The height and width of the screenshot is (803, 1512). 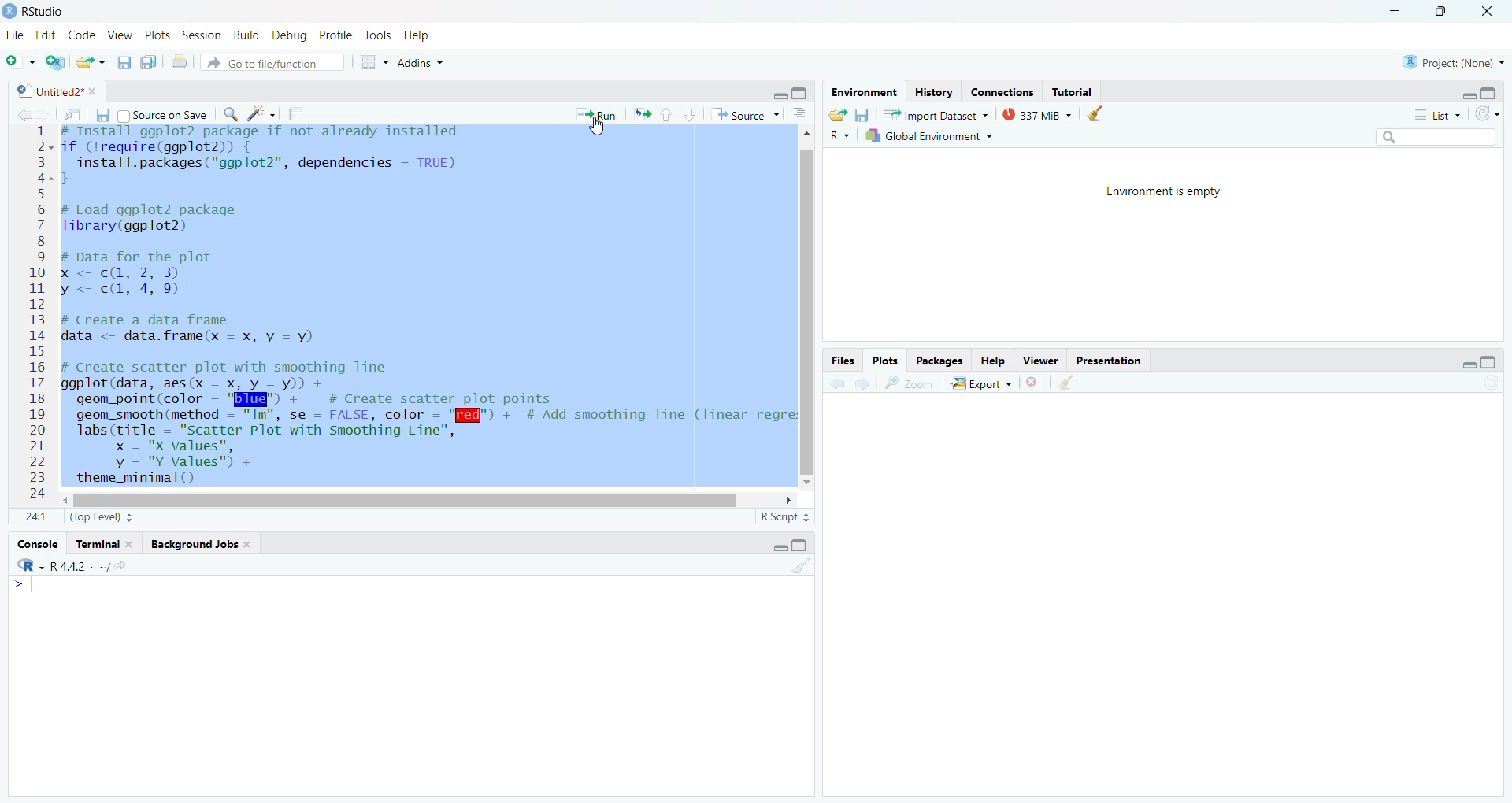 What do you see at coordinates (50, 115) in the screenshot?
I see `go back to the next source location` at bounding box center [50, 115].